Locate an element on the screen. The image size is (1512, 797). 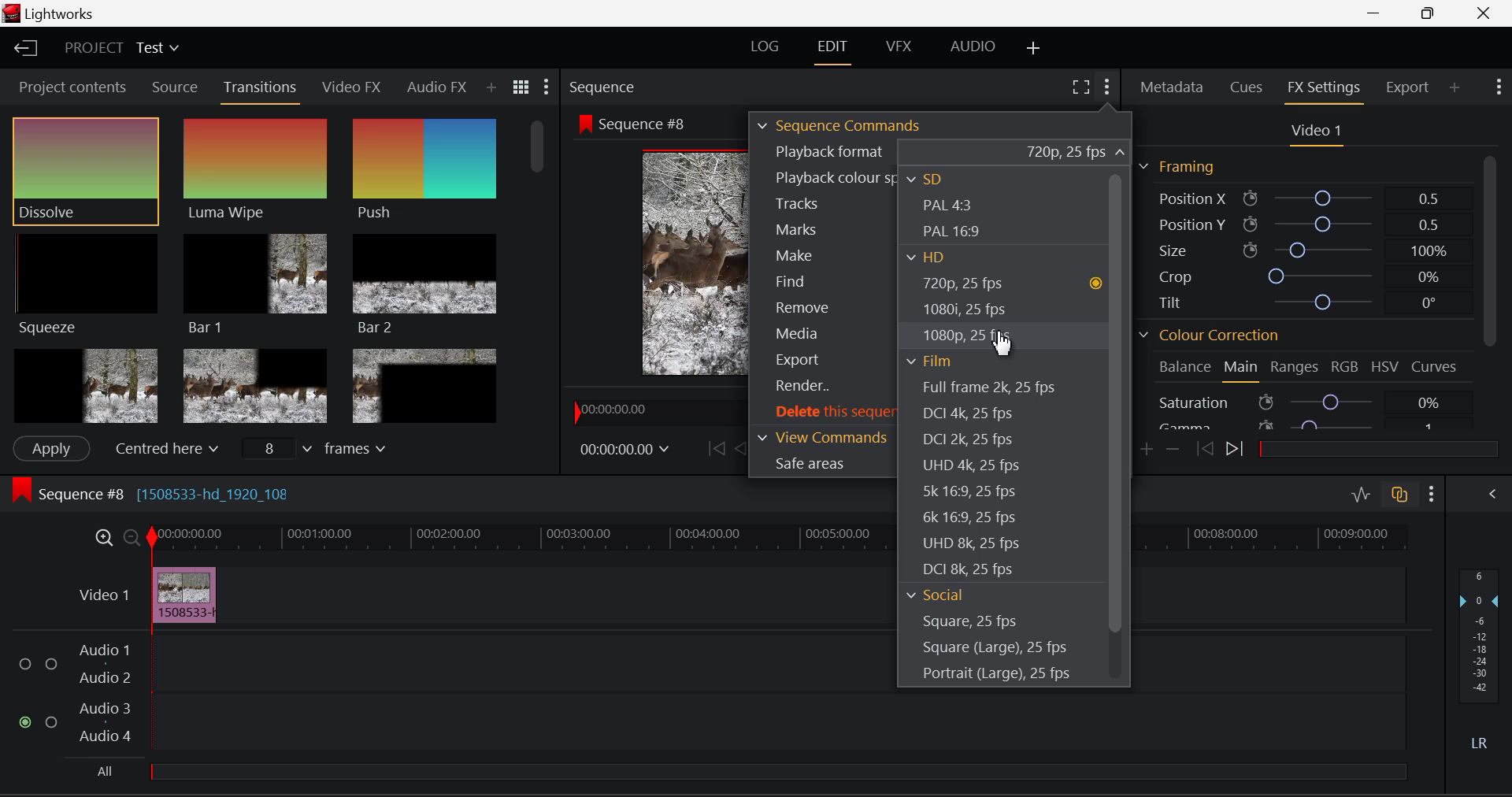
Square is located at coordinates (970, 621).